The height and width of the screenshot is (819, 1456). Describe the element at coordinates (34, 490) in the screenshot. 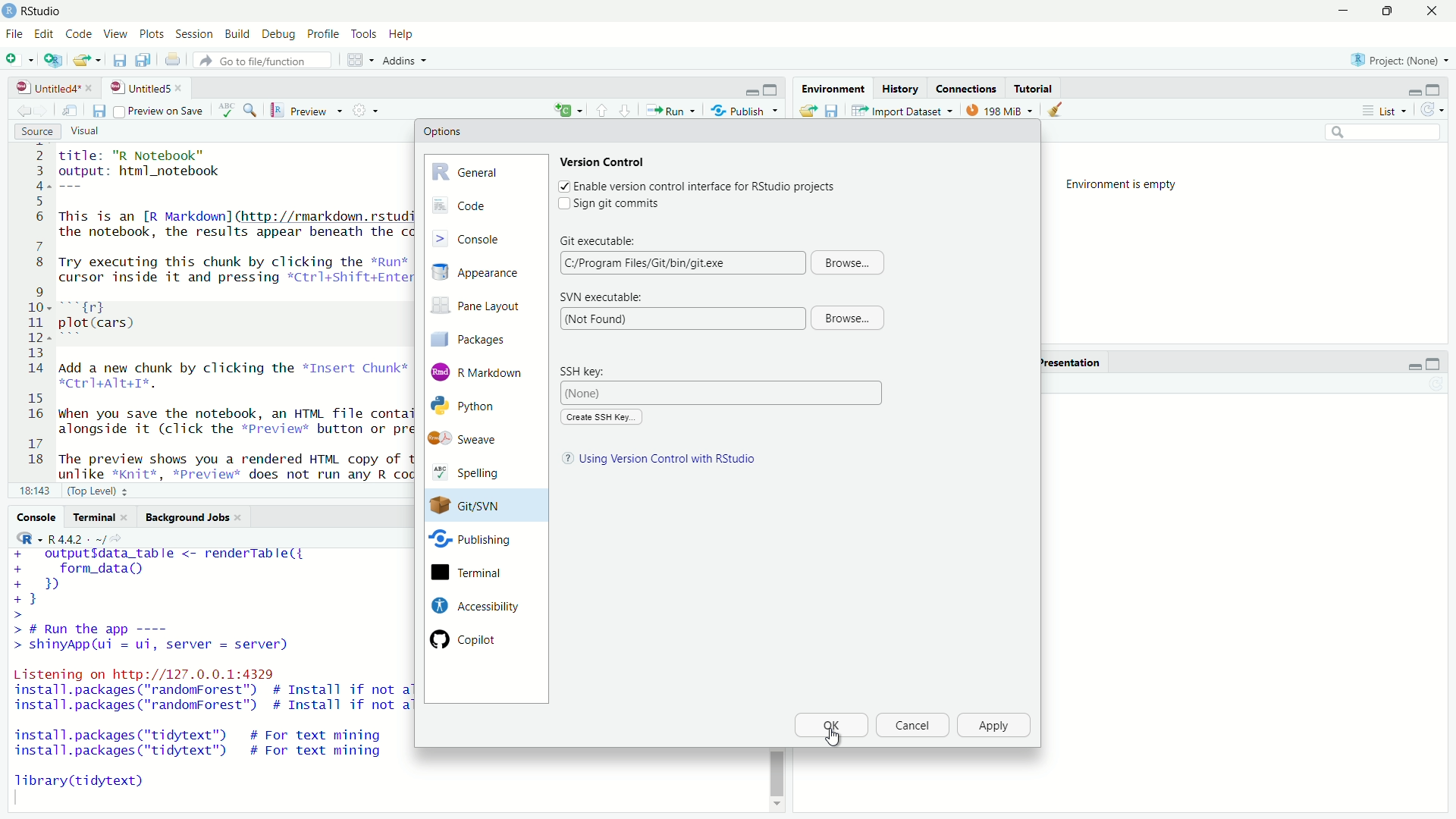

I see `18:143` at that location.